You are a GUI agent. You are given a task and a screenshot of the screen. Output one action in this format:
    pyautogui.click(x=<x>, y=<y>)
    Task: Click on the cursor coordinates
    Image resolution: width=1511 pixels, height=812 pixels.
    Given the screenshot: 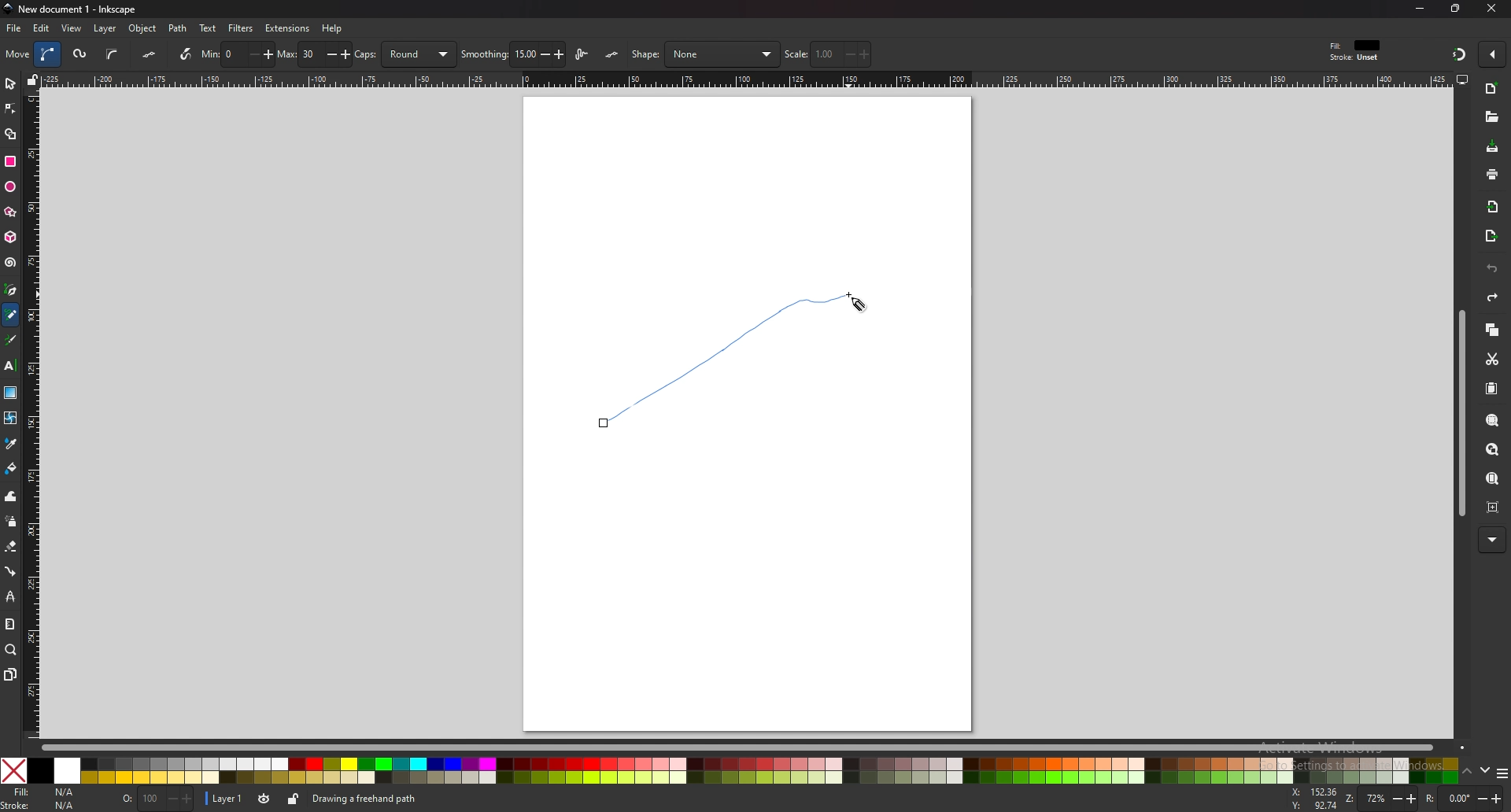 What is the action you would take?
    pyautogui.click(x=1315, y=798)
    